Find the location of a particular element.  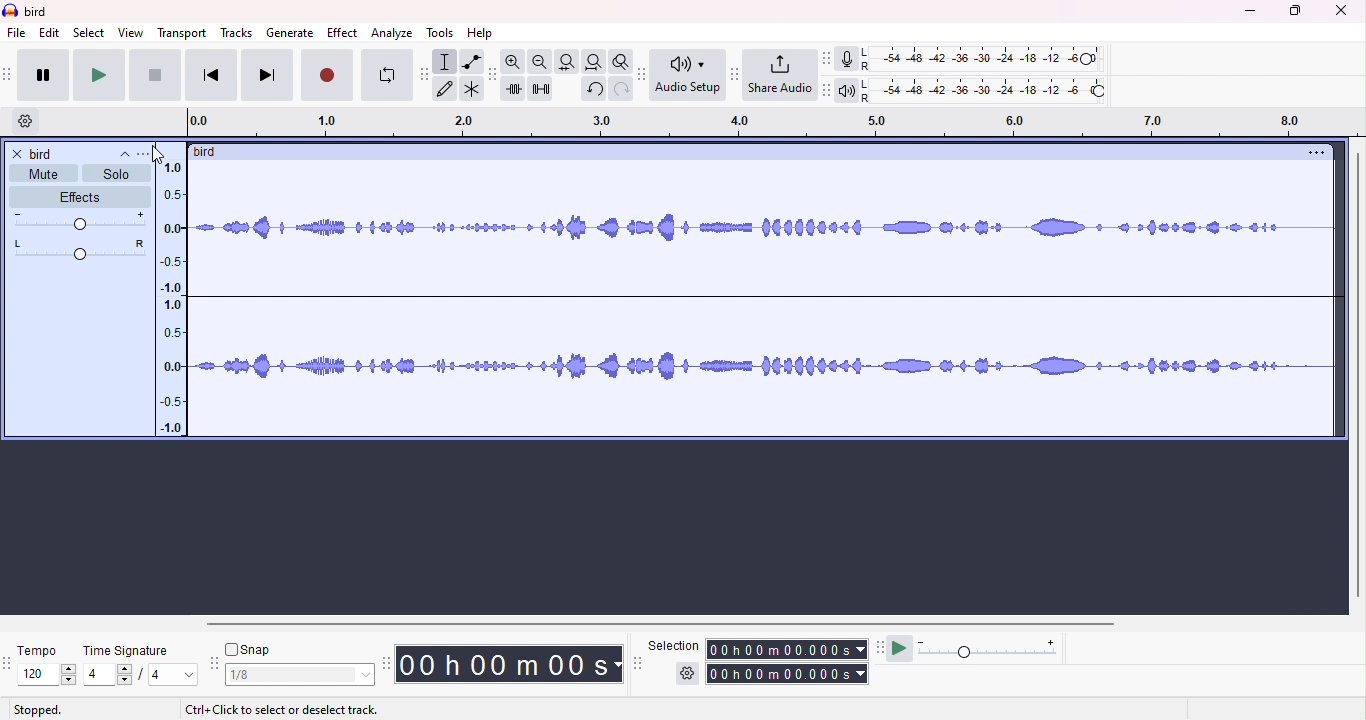

tracks is located at coordinates (234, 32).